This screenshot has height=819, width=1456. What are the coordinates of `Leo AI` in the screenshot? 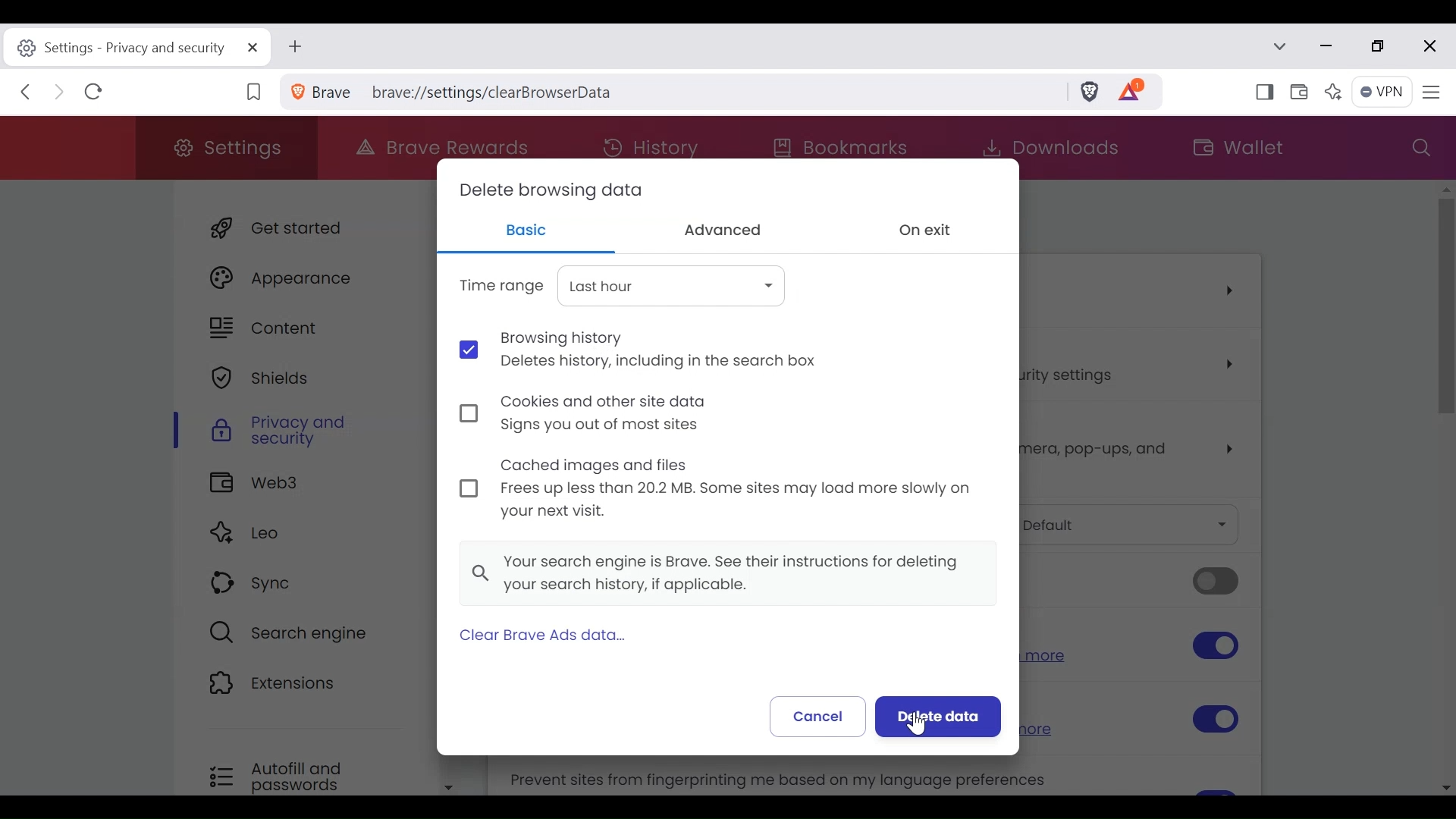 It's located at (1335, 92).